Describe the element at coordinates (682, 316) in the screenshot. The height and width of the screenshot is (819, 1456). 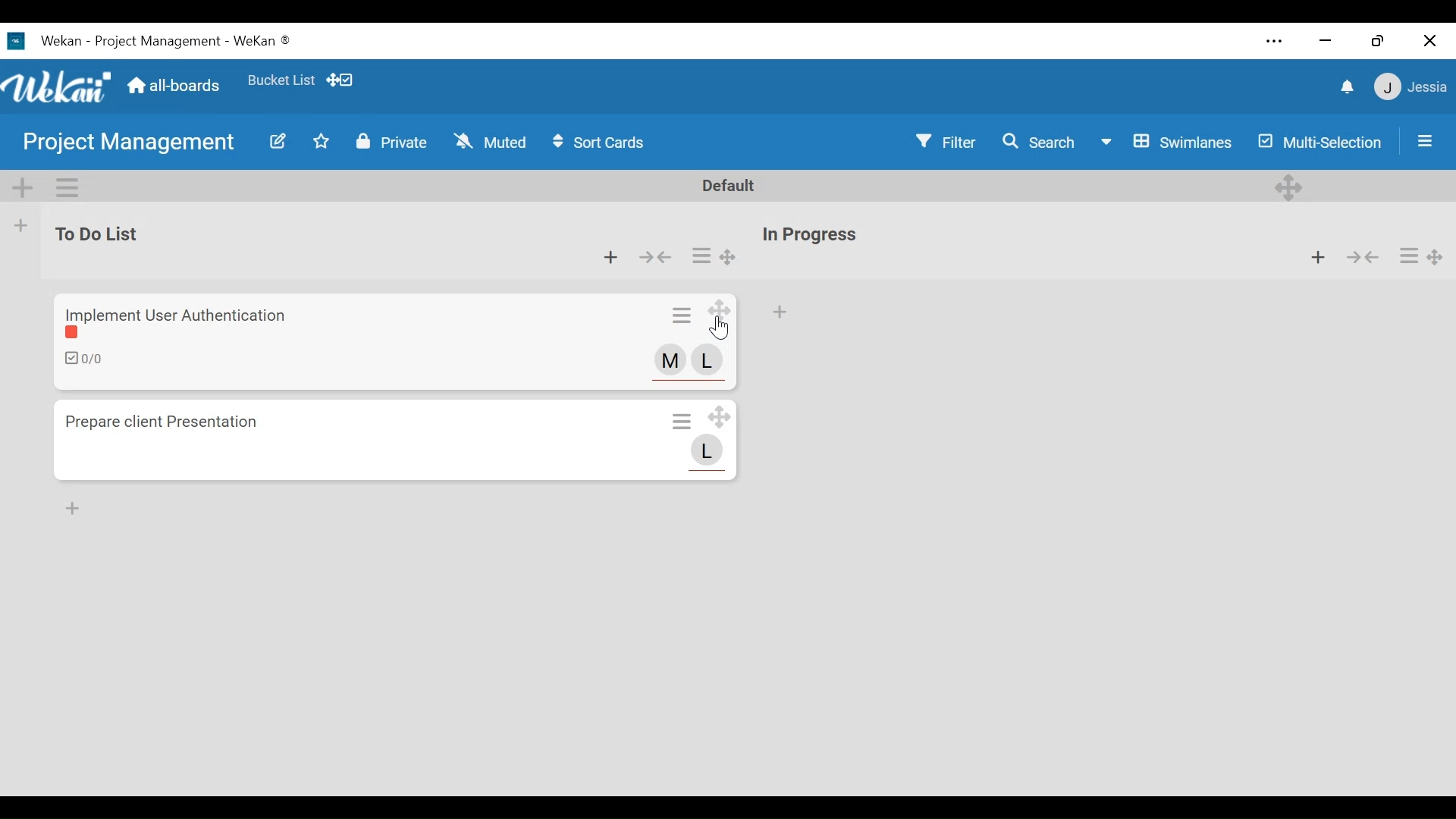
I see `Card actions` at that location.